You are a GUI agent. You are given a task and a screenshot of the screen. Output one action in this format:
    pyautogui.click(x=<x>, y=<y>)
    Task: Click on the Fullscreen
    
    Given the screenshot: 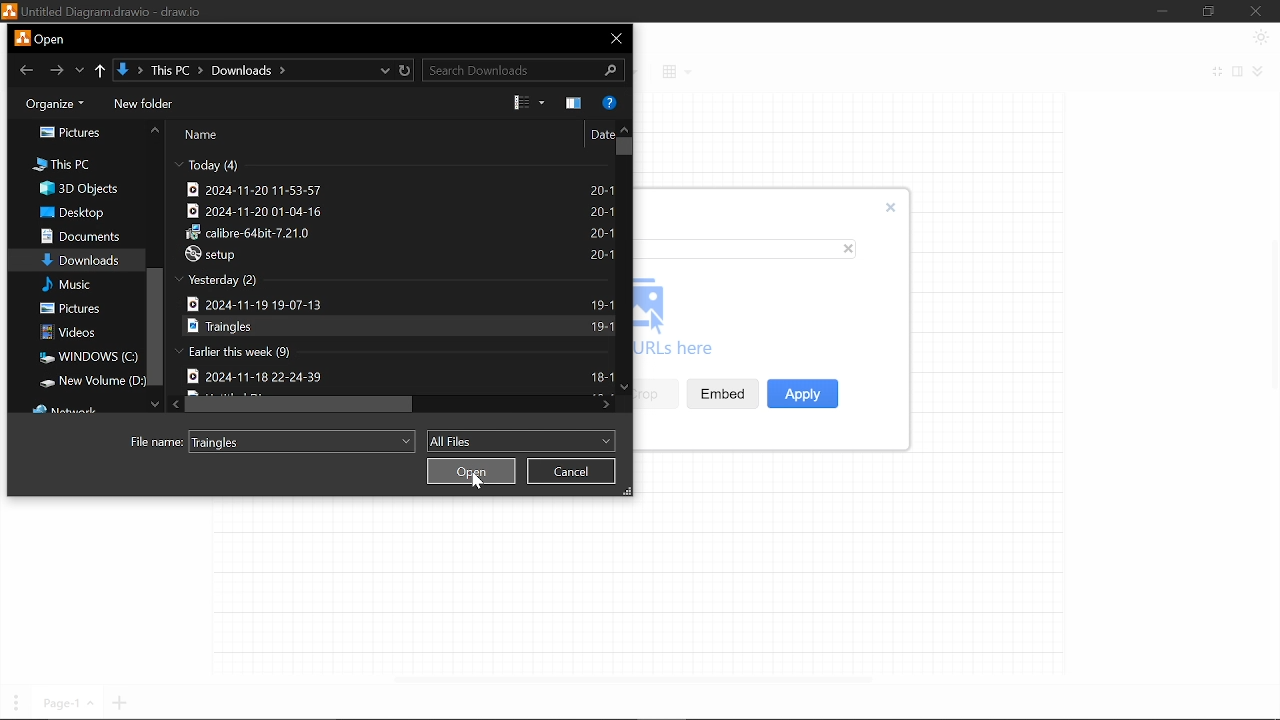 What is the action you would take?
    pyautogui.click(x=1218, y=73)
    